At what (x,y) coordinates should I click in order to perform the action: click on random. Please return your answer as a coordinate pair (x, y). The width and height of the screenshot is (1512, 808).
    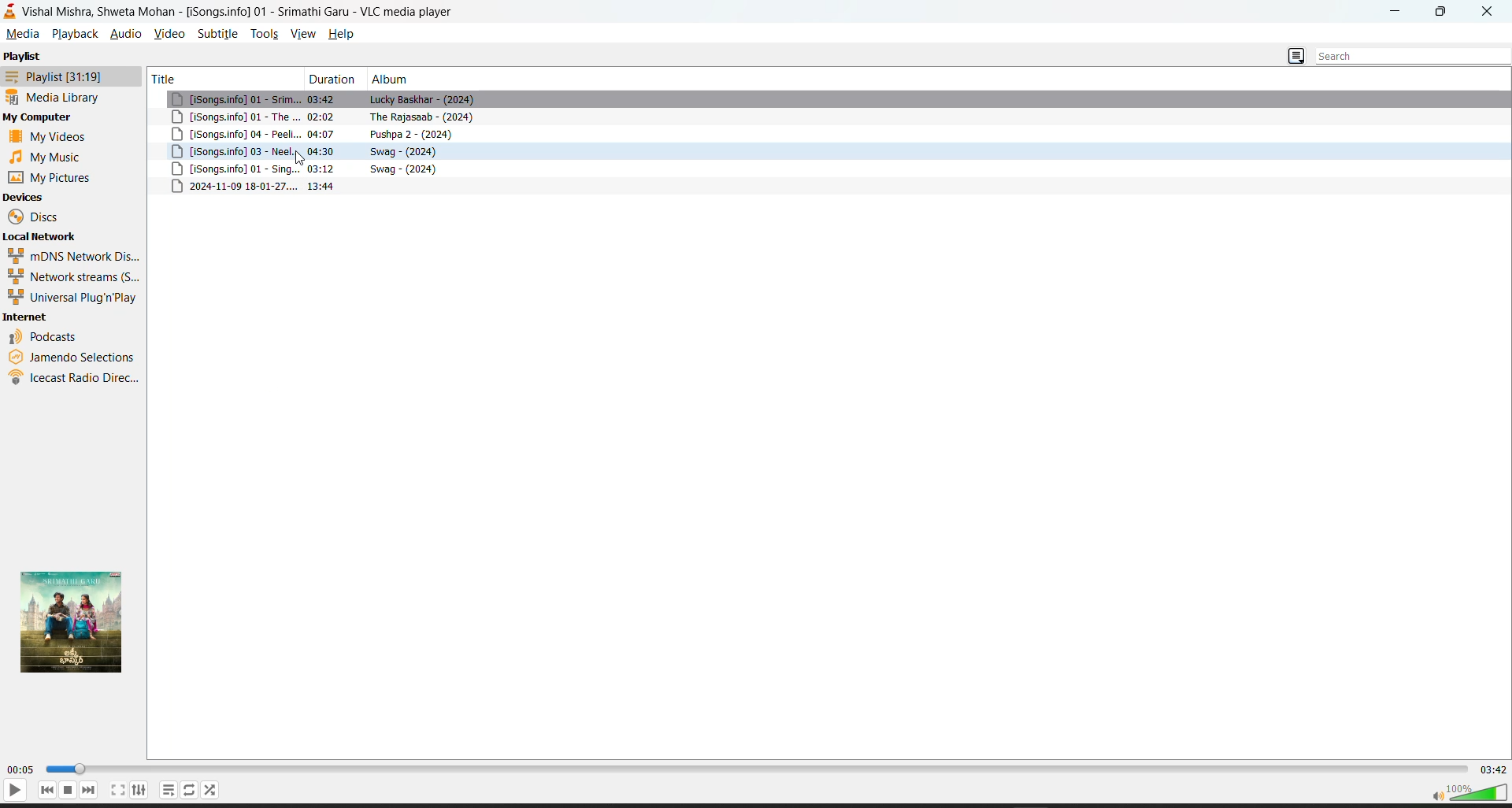
    Looking at the image, I should click on (210, 790).